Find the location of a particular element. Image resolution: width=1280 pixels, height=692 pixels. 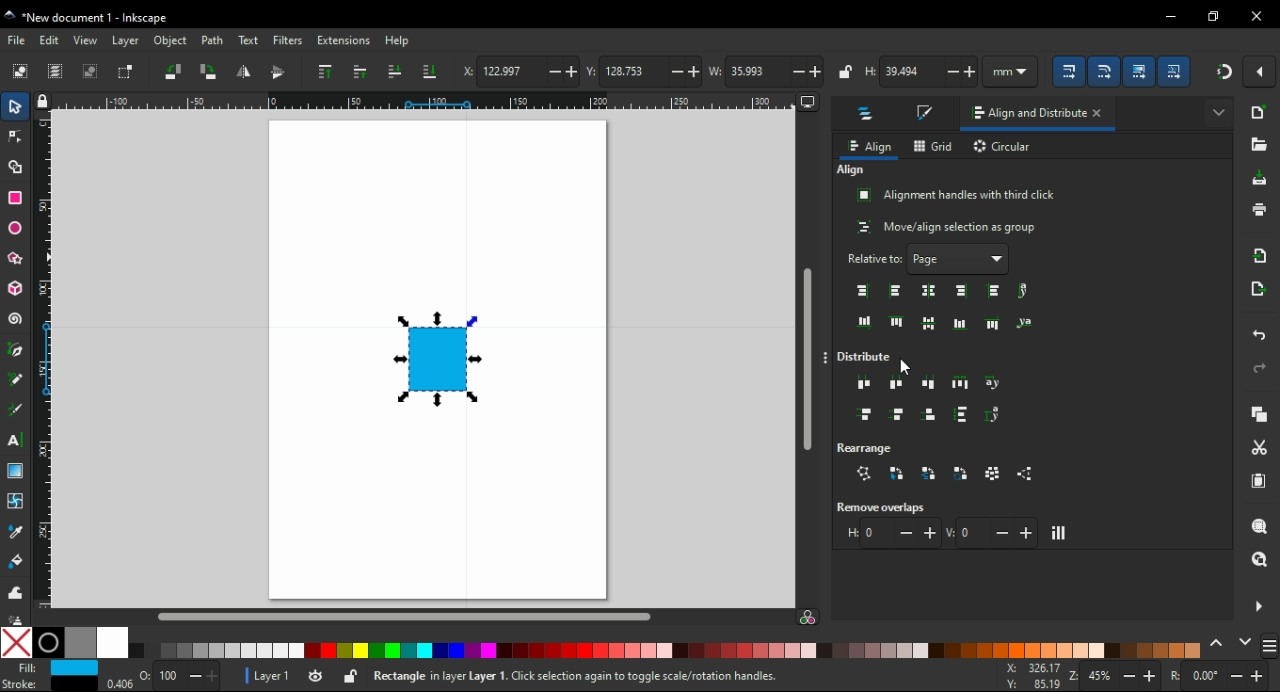

shape builder tool is located at coordinates (15, 166).